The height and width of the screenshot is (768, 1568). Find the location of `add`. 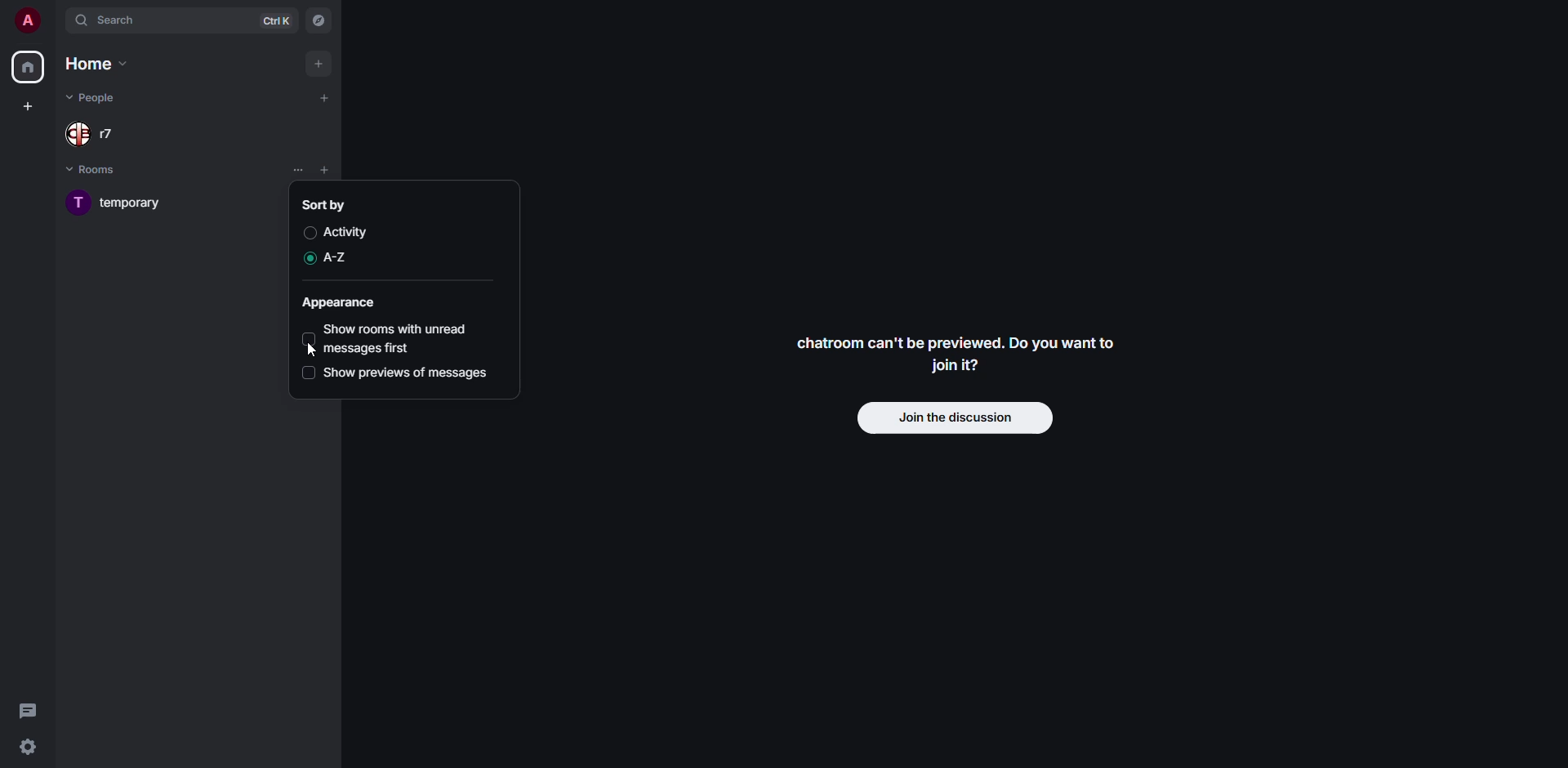

add is located at coordinates (318, 63).